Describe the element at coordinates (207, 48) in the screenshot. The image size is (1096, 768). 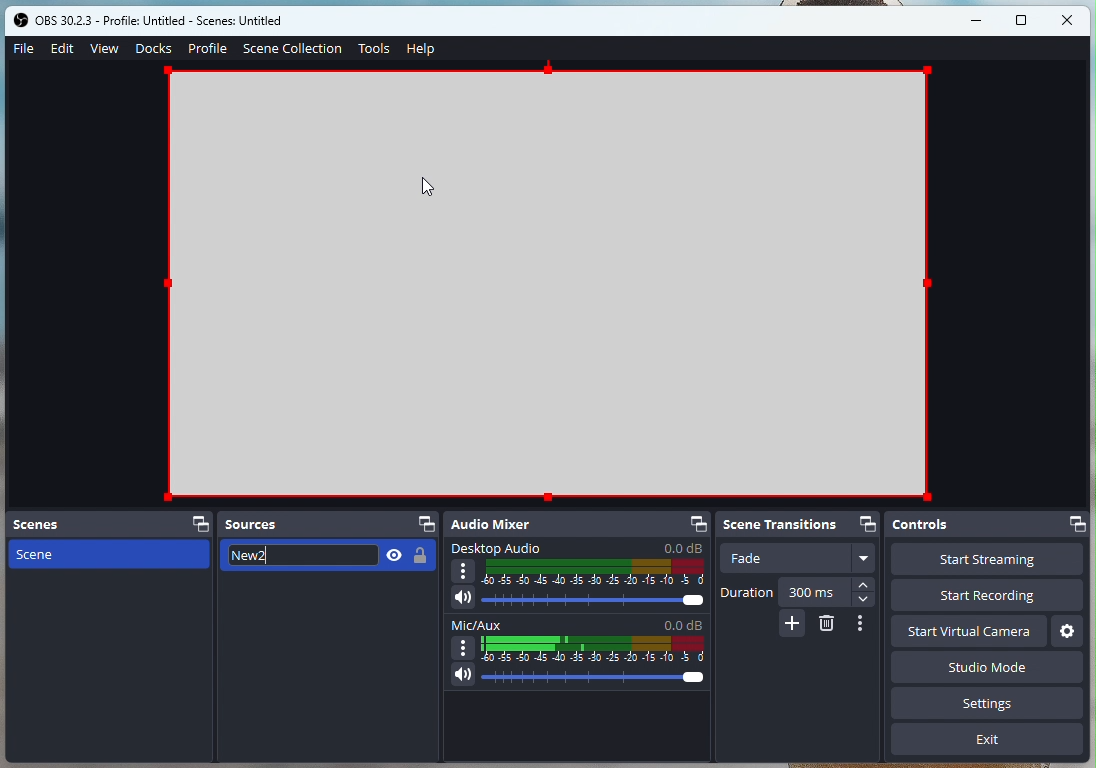
I see `Profile` at that location.